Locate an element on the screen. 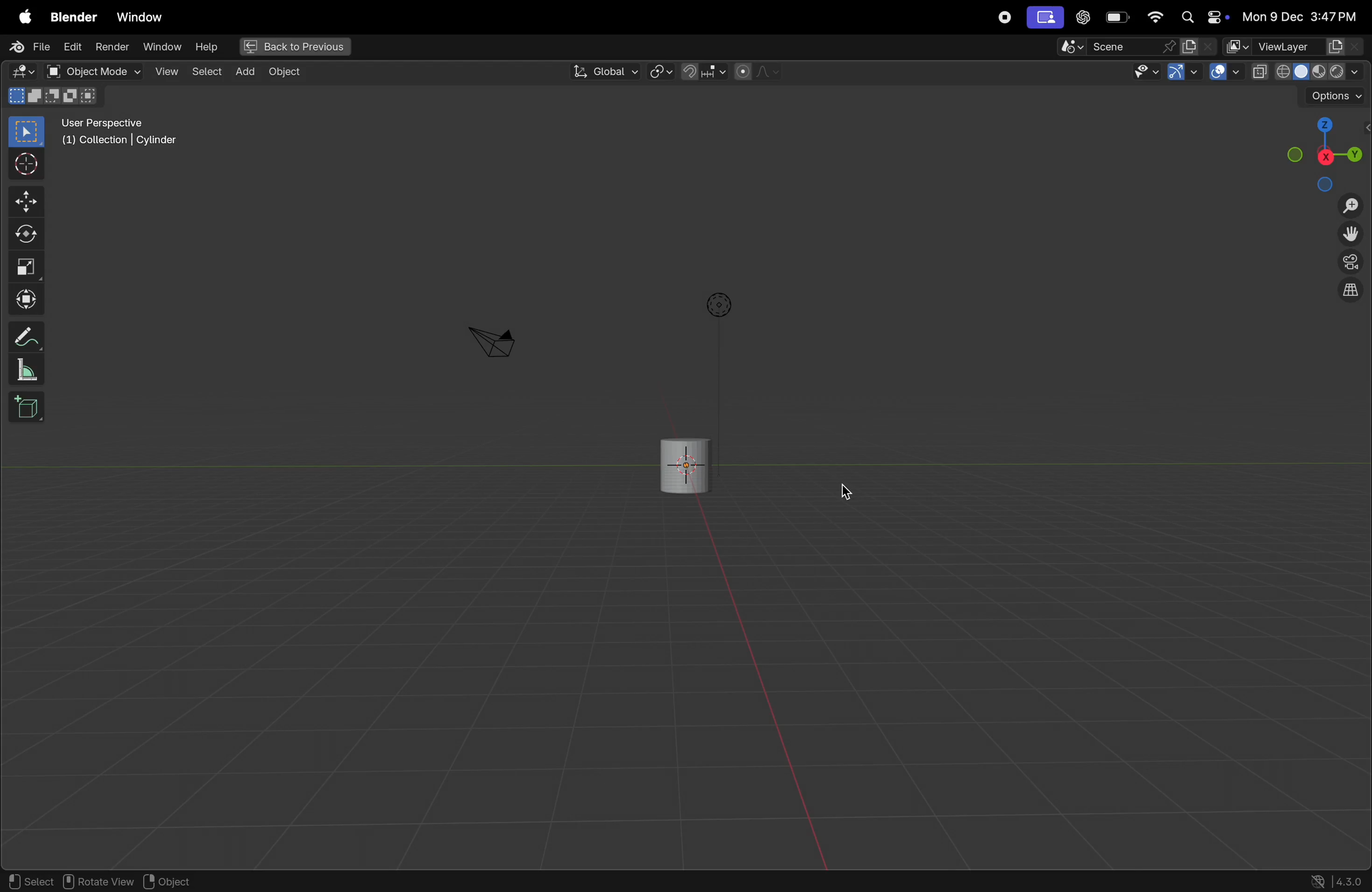 The width and height of the screenshot is (1372, 892). scale is located at coordinates (26, 267).